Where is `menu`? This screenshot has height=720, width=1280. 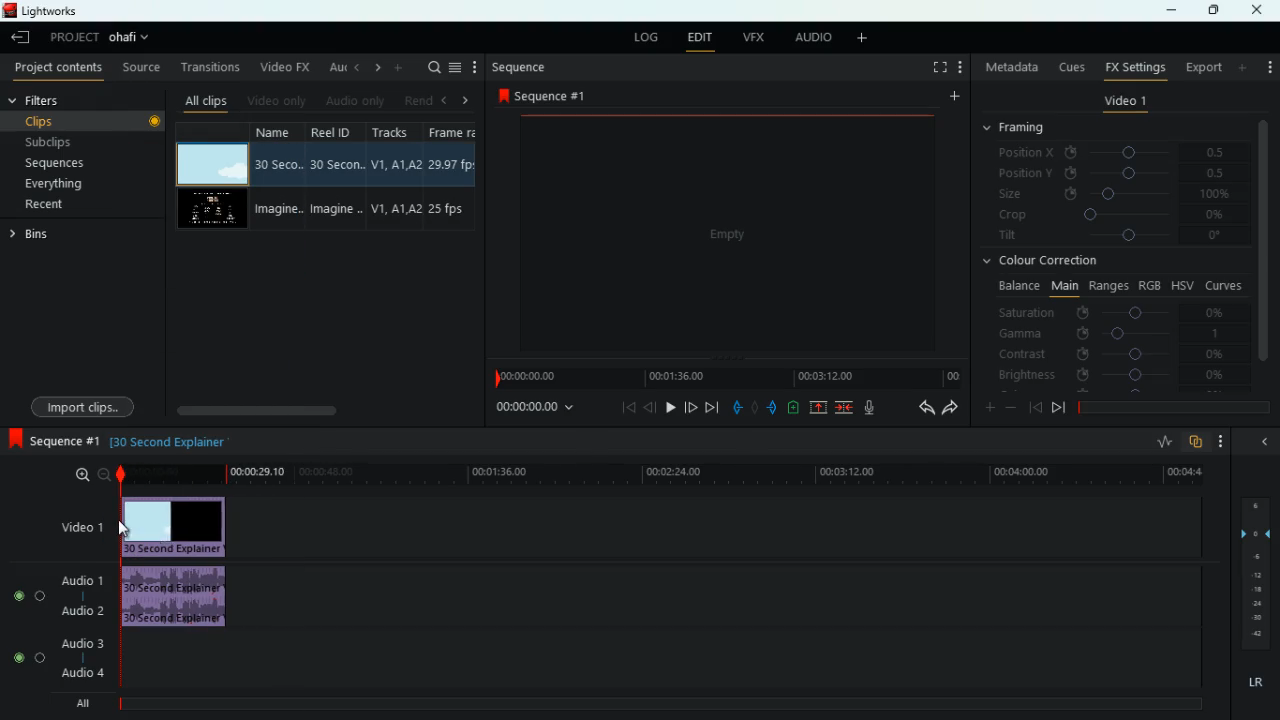
menu is located at coordinates (455, 67).